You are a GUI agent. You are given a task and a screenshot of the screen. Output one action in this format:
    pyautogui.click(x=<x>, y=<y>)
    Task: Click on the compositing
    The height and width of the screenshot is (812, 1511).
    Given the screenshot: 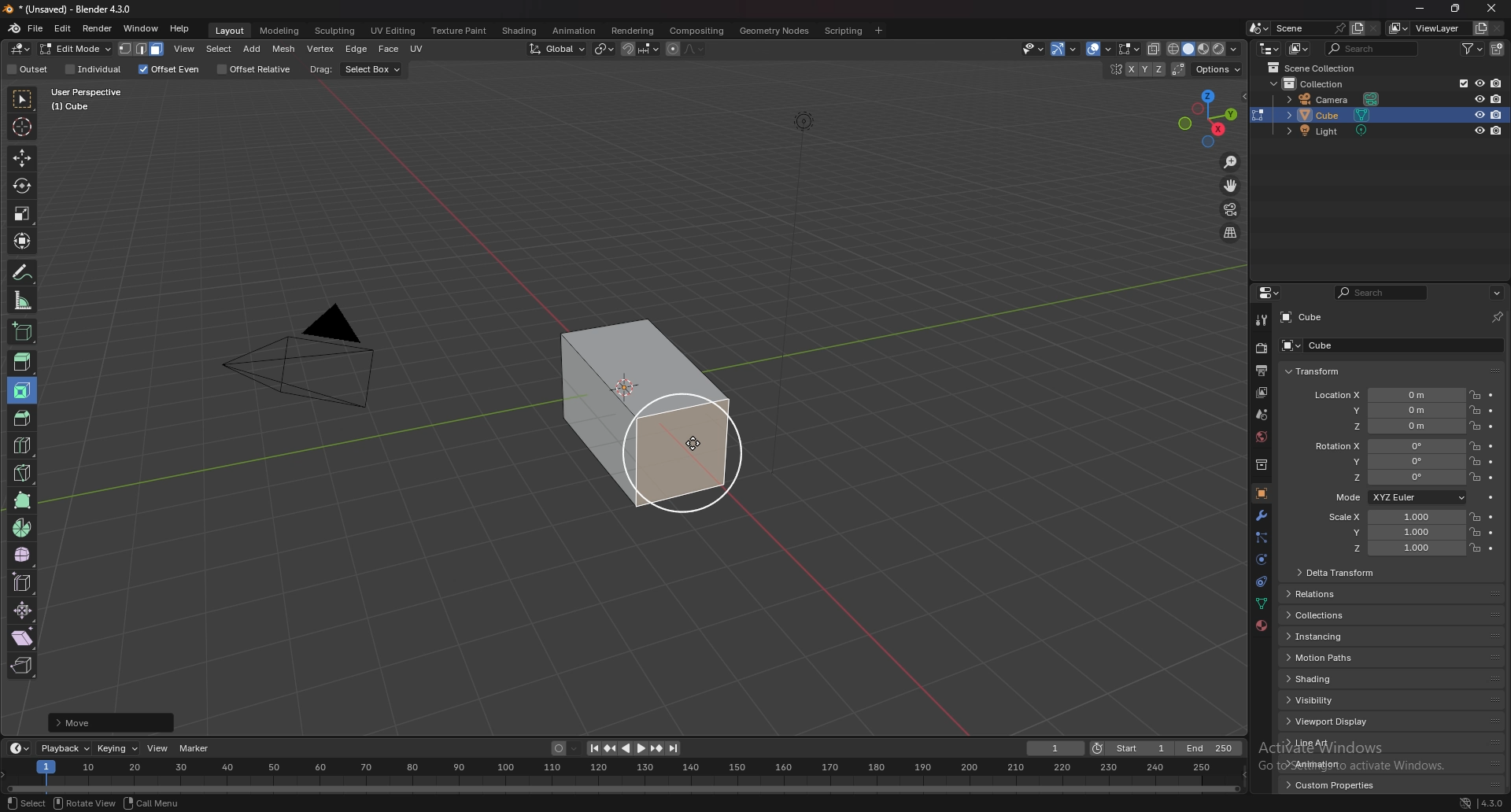 What is the action you would take?
    pyautogui.click(x=696, y=31)
    